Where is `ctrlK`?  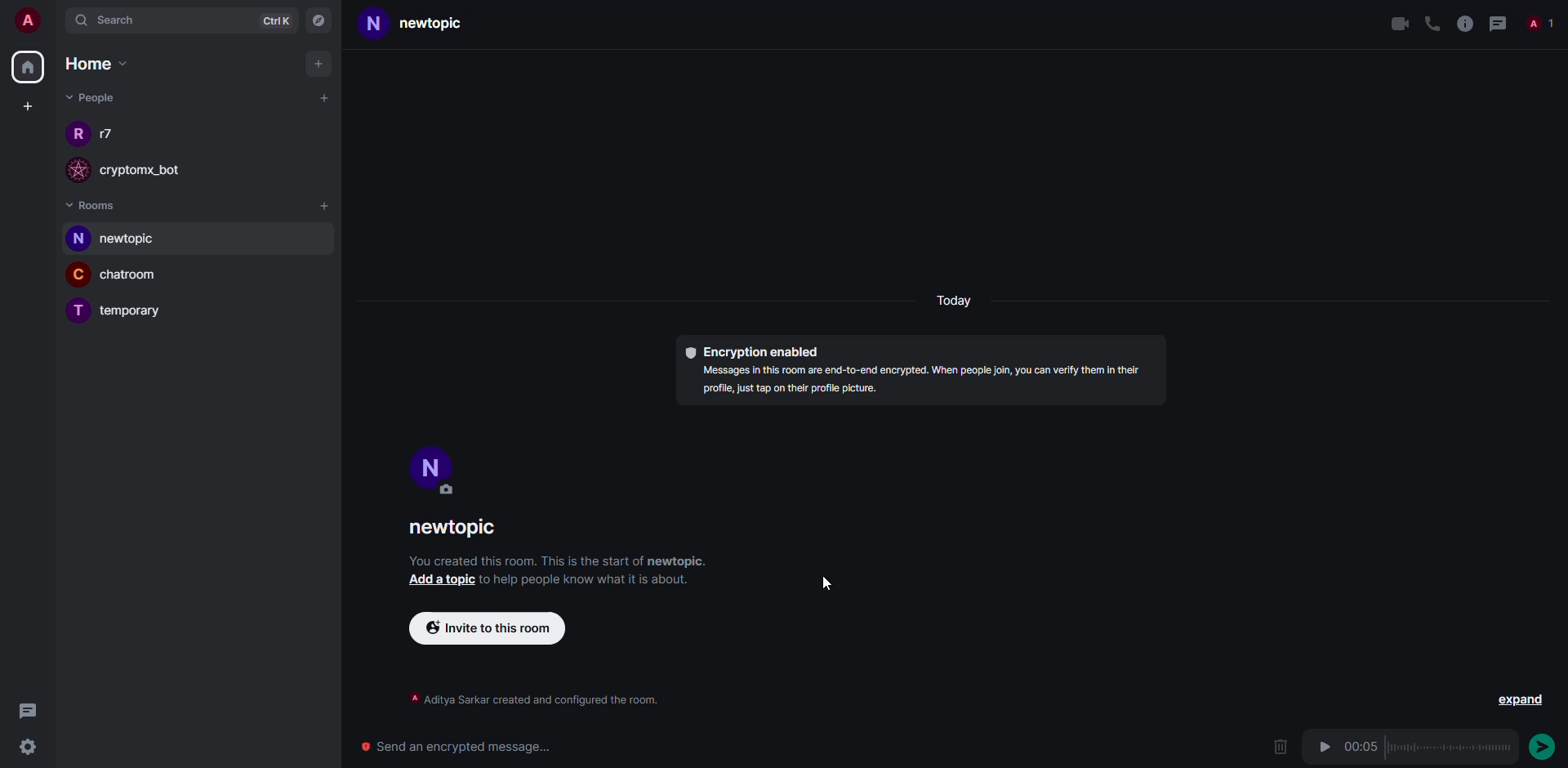 ctrlK is located at coordinates (274, 22).